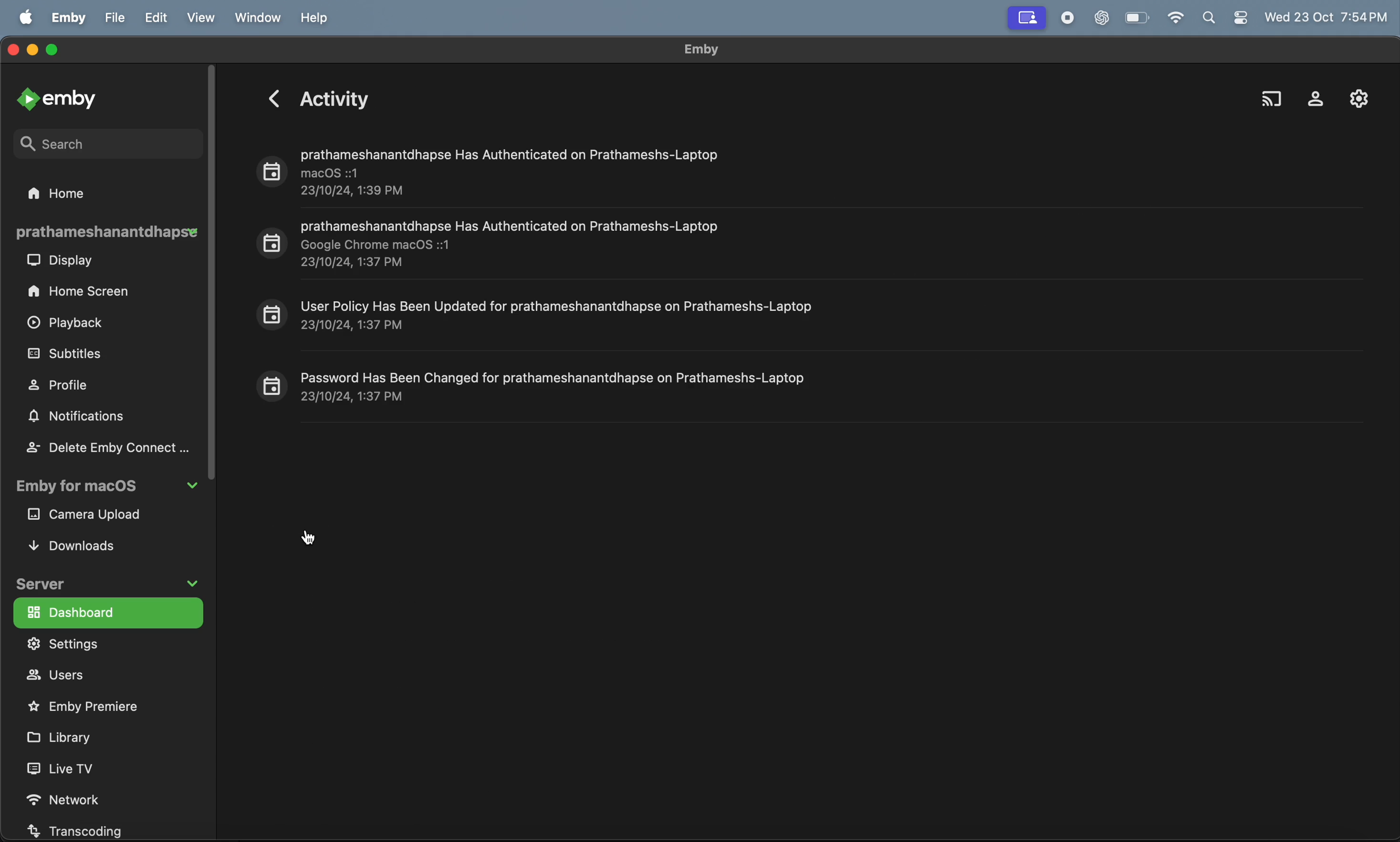 The width and height of the screenshot is (1400, 842). I want to click on display, so click(65, 262).